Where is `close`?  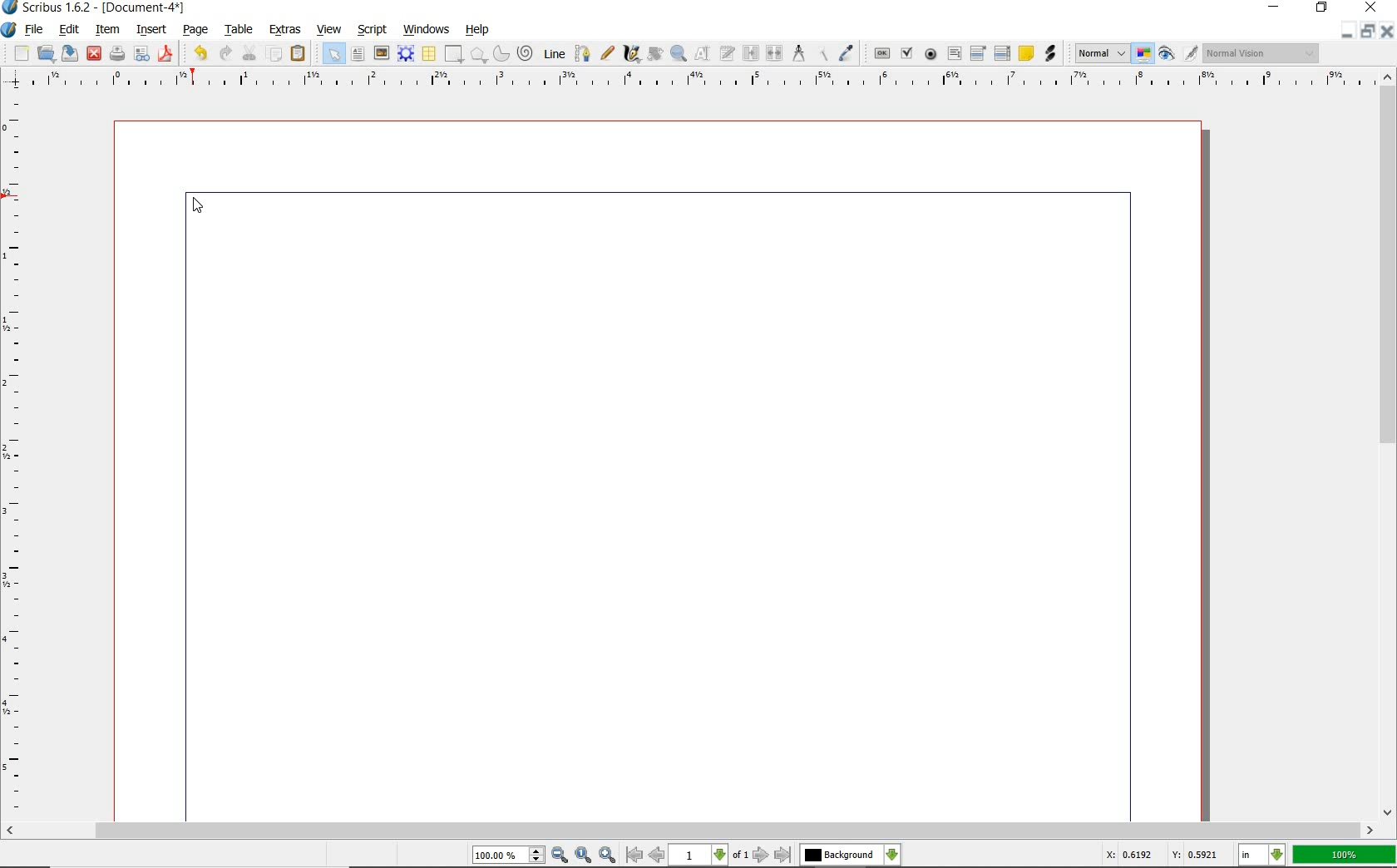
close is located at coordinates (94, 54).